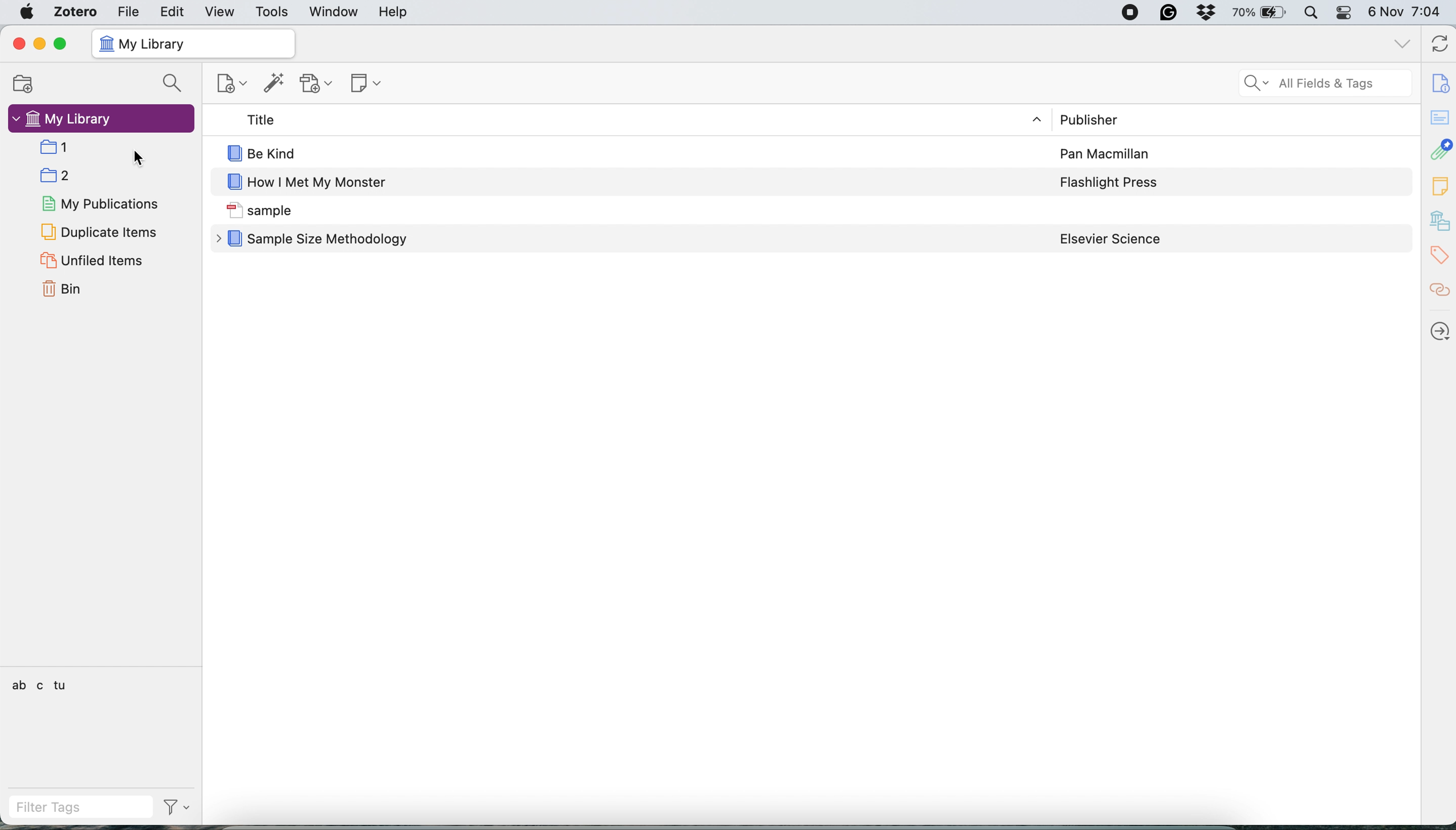 The height and width of the screenshot is (830, 1456). I want to click on item info, so click(1438, 80).